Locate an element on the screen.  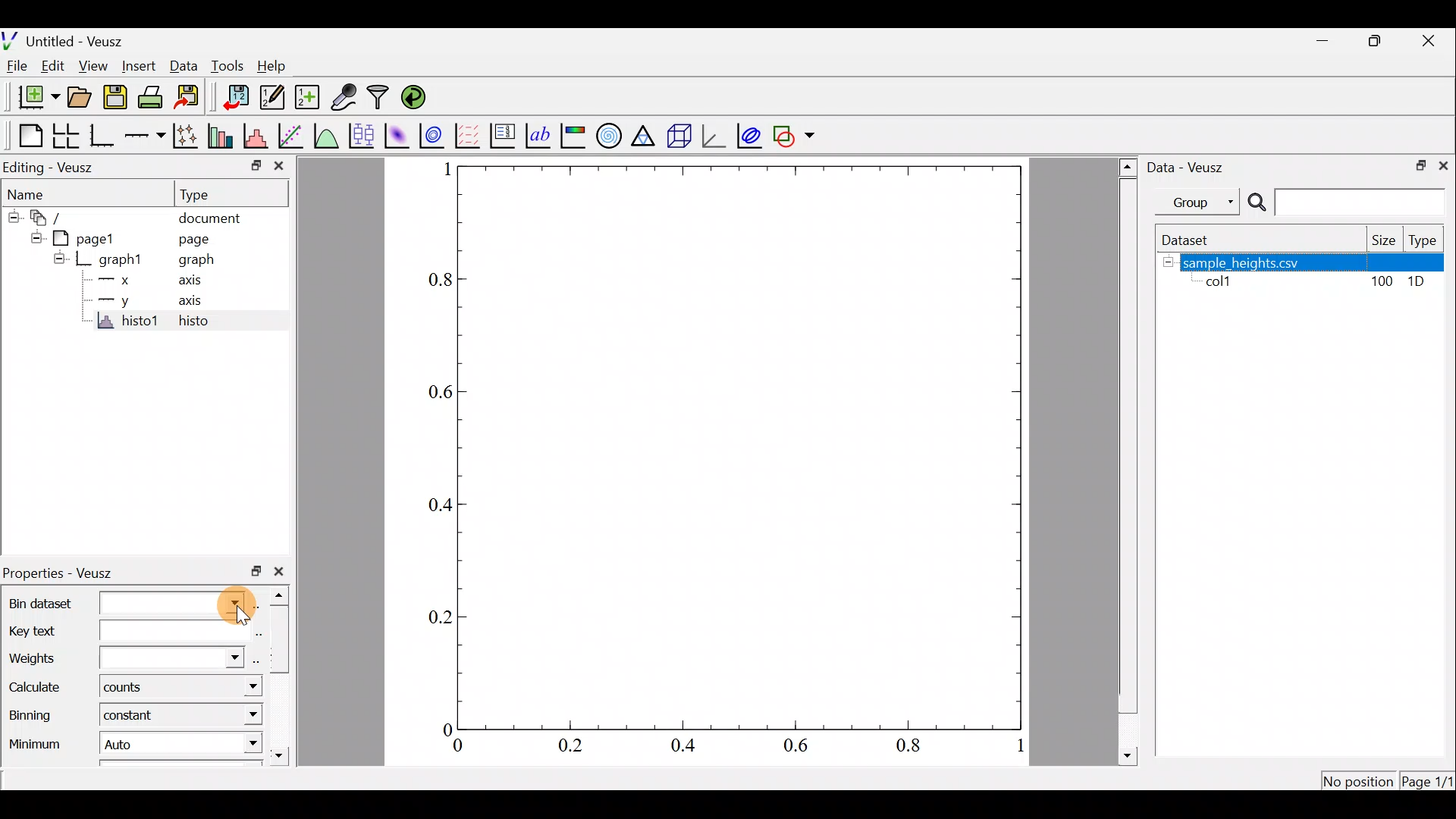
Minimum is located at coordinates (37, 739).